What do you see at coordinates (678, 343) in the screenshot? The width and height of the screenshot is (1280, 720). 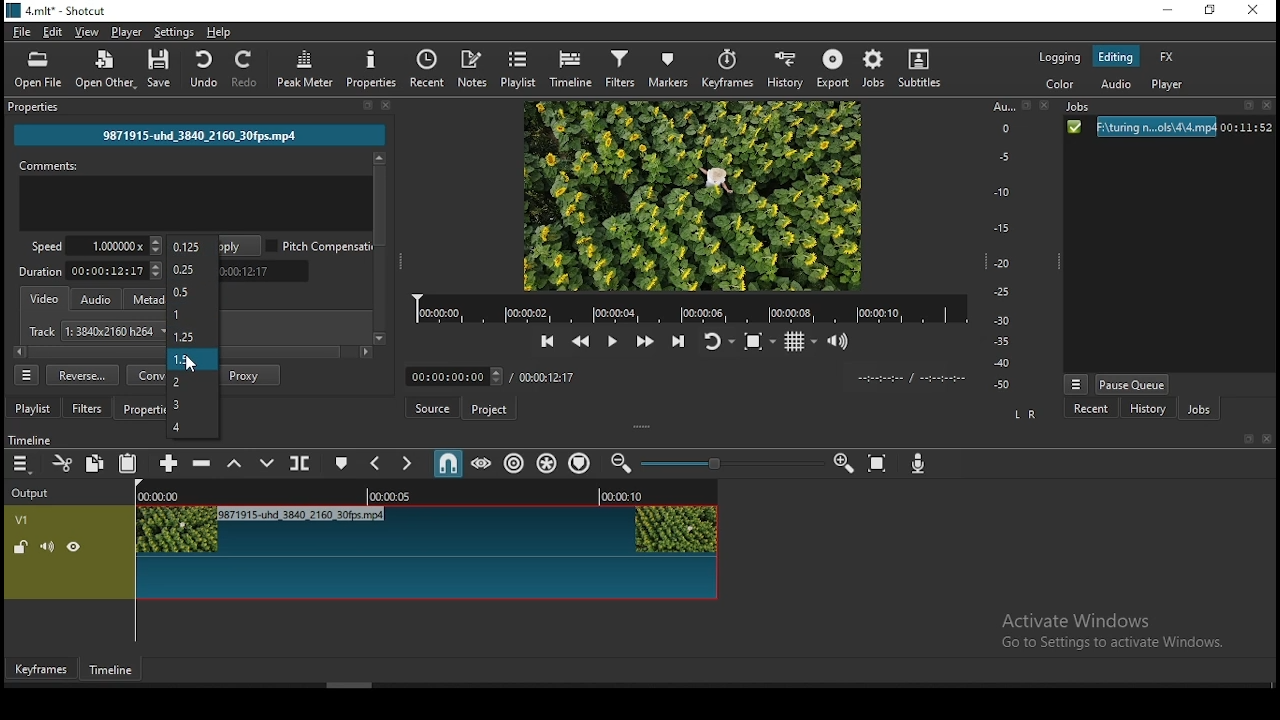 I see `skip to the next point` at bounding box center [678, 343].